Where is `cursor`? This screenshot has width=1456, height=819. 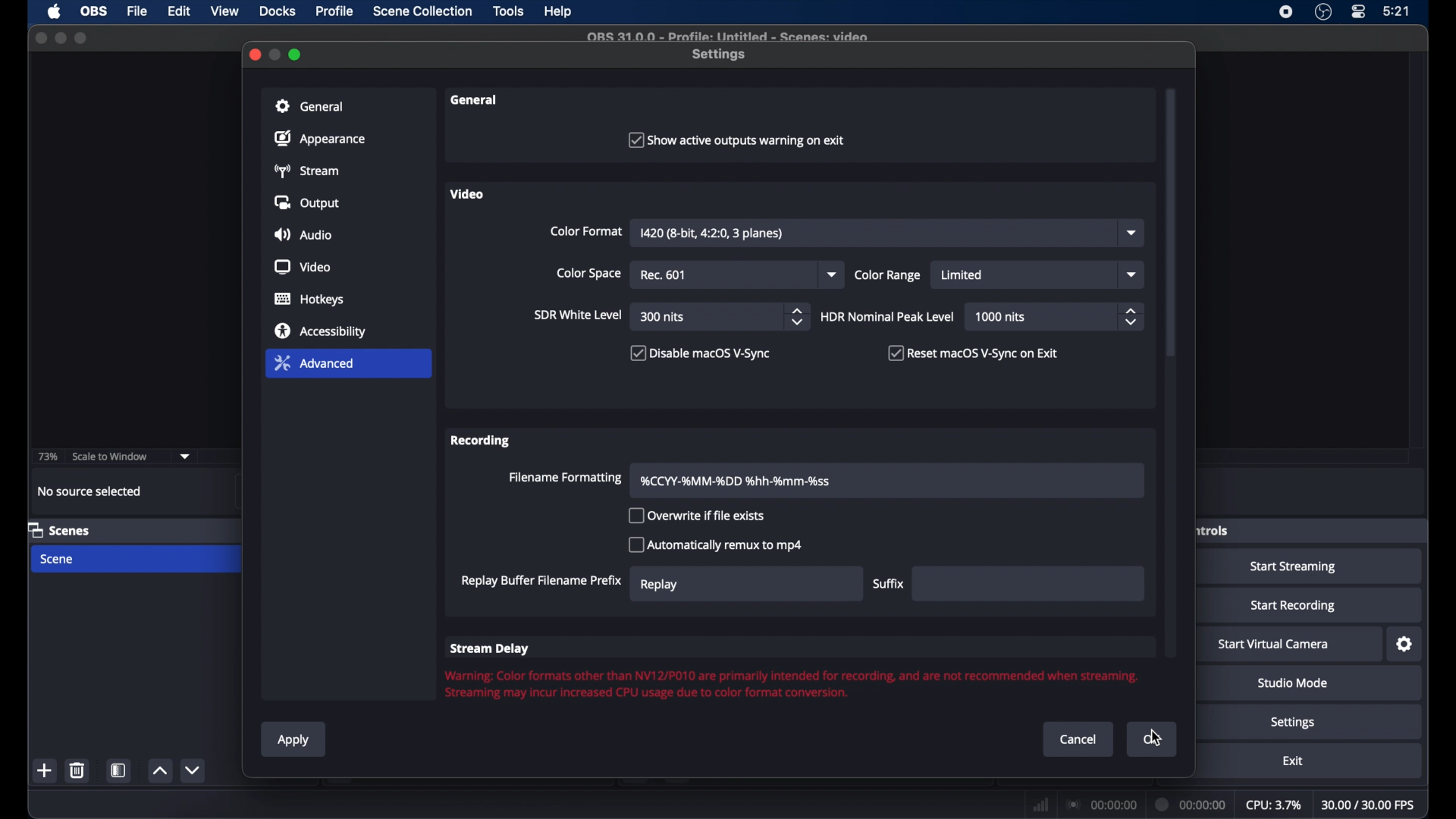 cursor is located at coordinates (1156, 738).